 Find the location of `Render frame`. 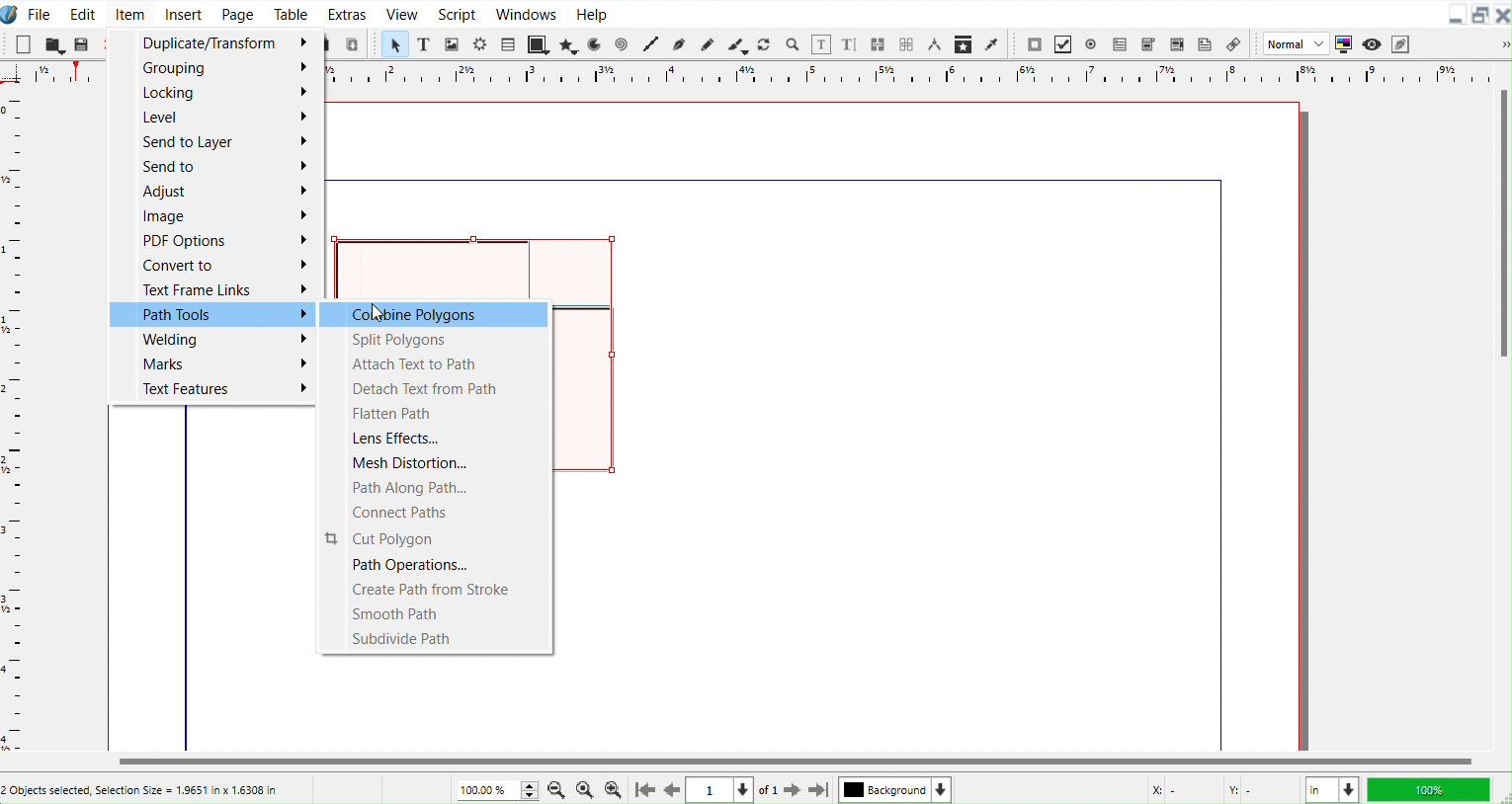

Render frame is located at coordinates (481, 44).